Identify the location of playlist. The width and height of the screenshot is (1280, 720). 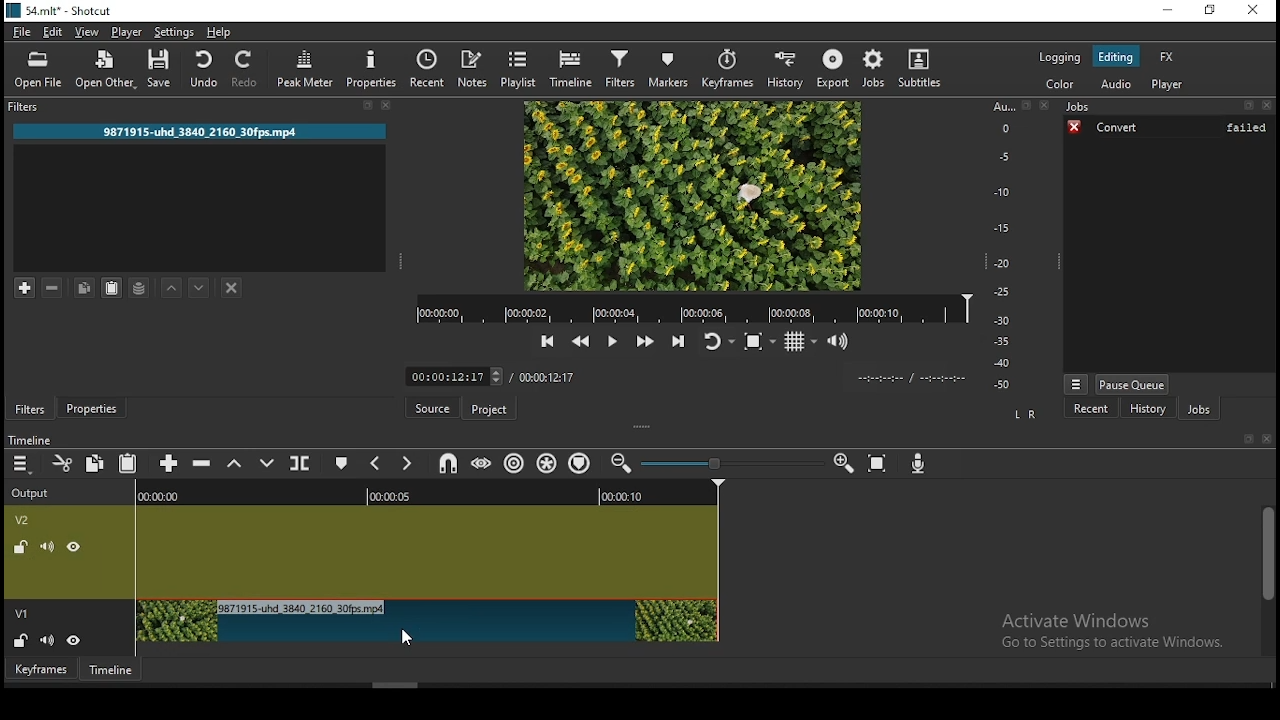
(520, 68).